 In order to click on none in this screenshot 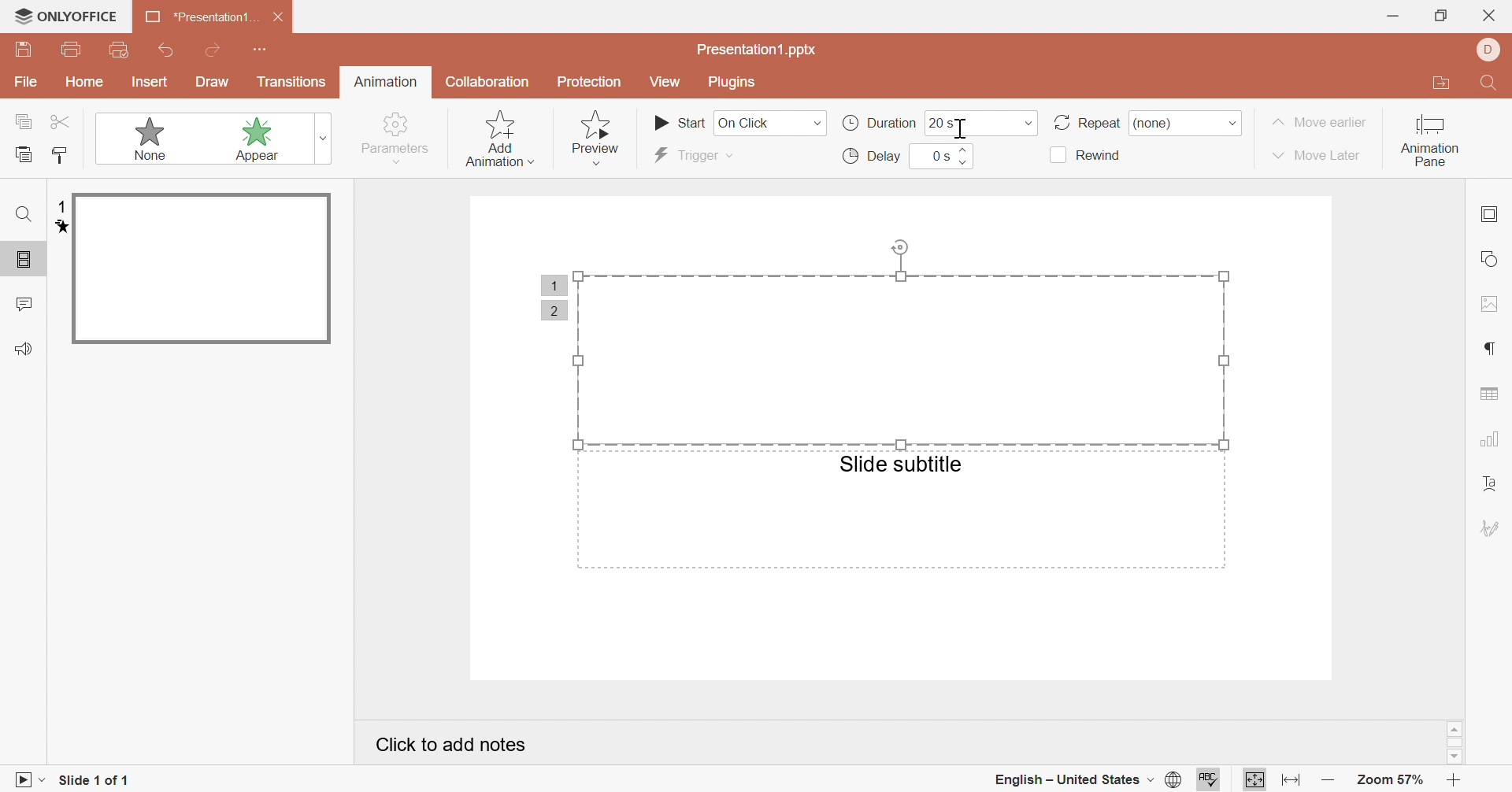, I will do `click(1165, 122)`.